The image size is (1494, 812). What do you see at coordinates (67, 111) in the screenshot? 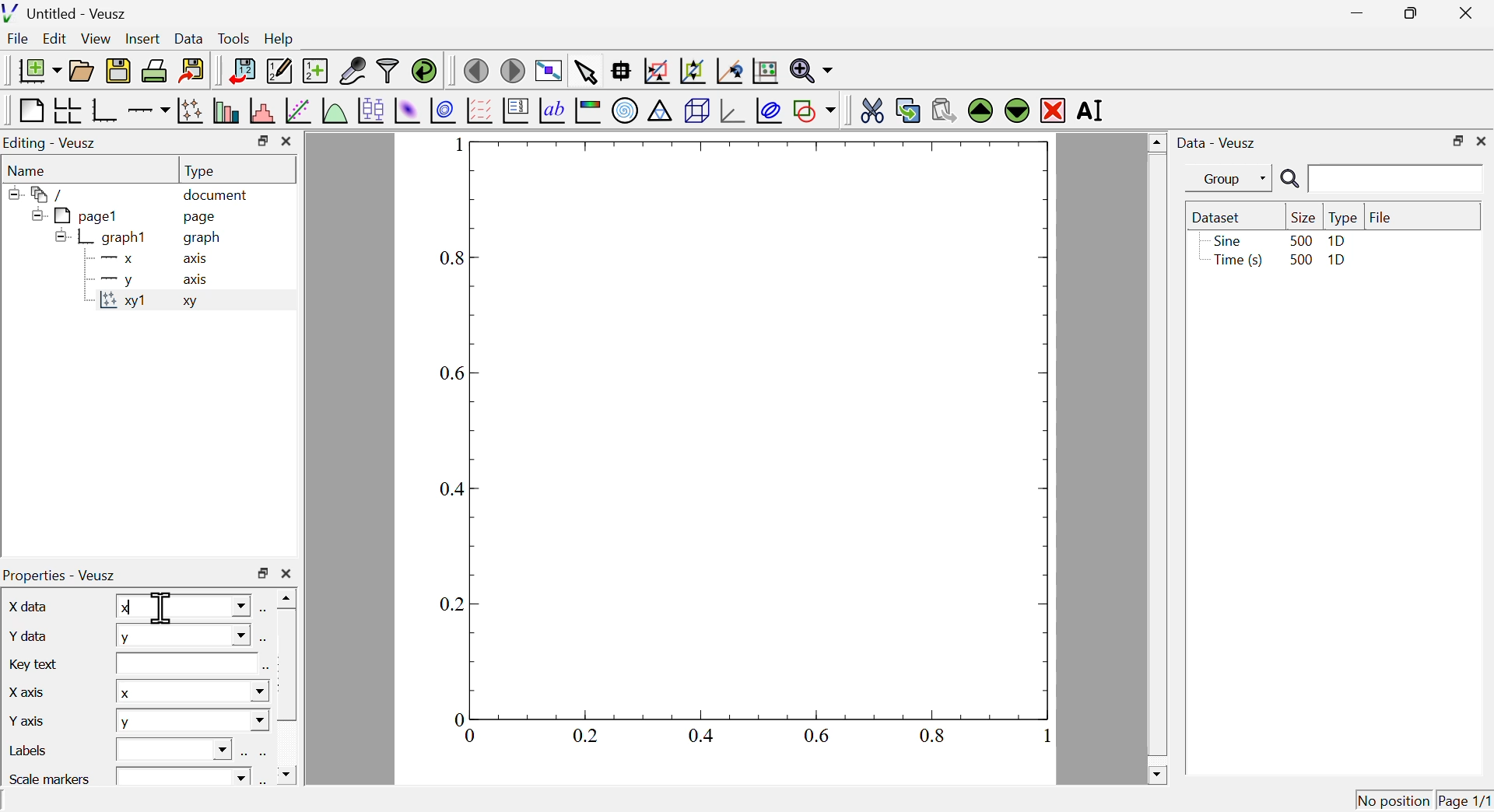
I see `arrange graphs in a grid` at bounding box center [67, 111].